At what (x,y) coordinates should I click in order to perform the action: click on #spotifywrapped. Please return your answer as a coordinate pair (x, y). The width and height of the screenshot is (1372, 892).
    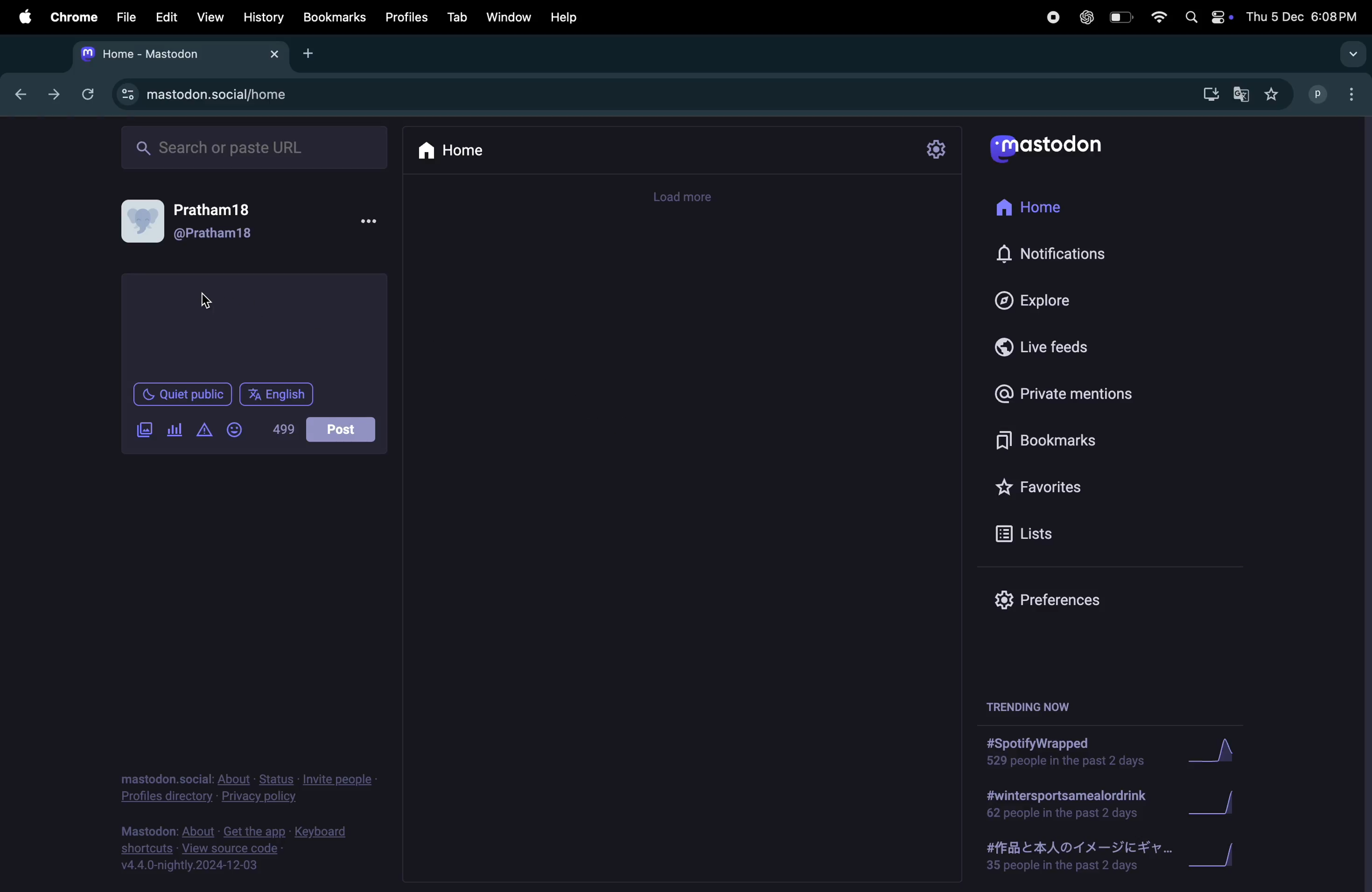
    Looking at the image, I should click on (1069, 752).